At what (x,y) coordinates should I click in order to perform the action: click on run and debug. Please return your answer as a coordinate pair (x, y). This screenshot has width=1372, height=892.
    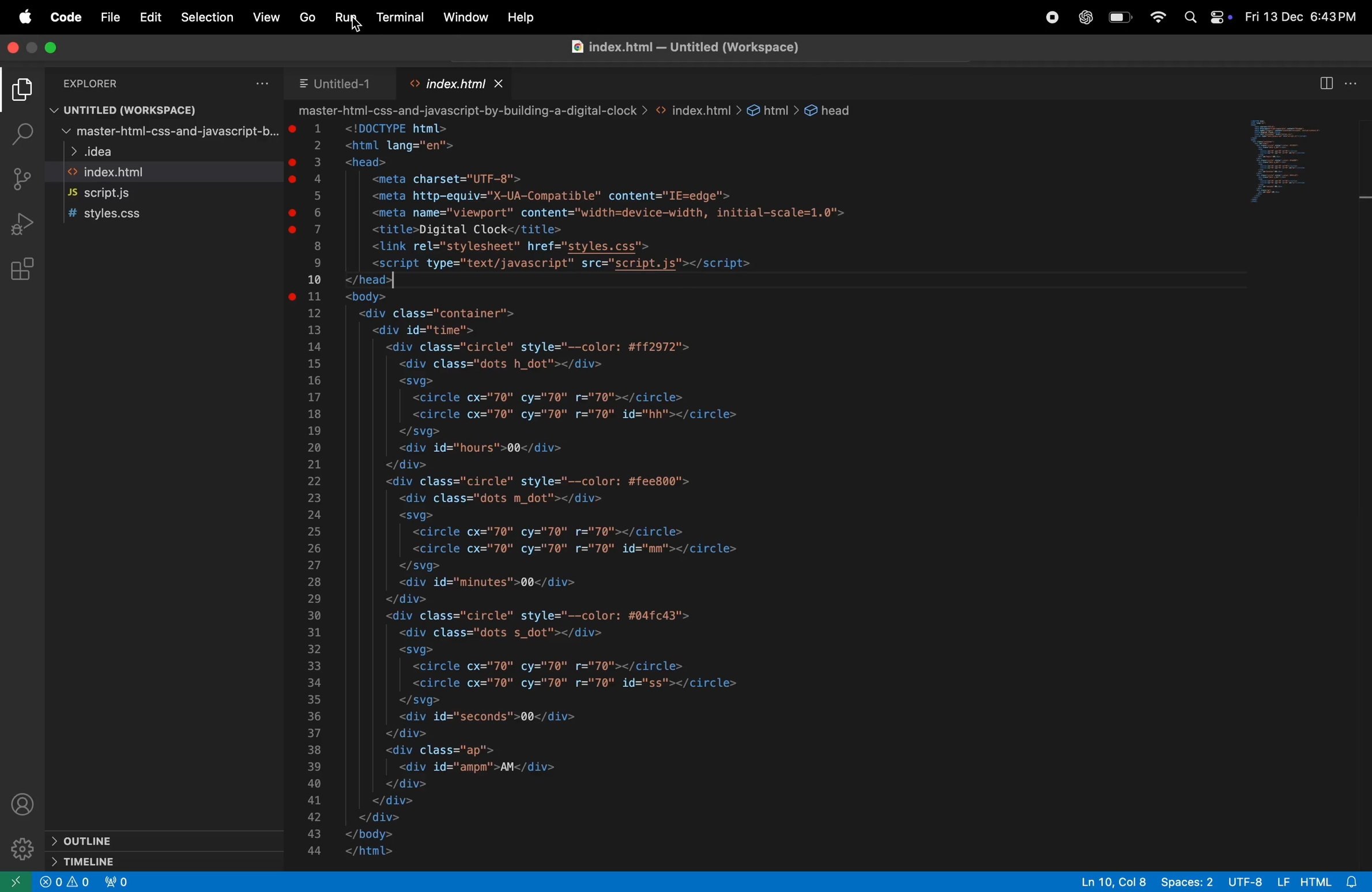
    Looking at the image, I should click on (22, 226).